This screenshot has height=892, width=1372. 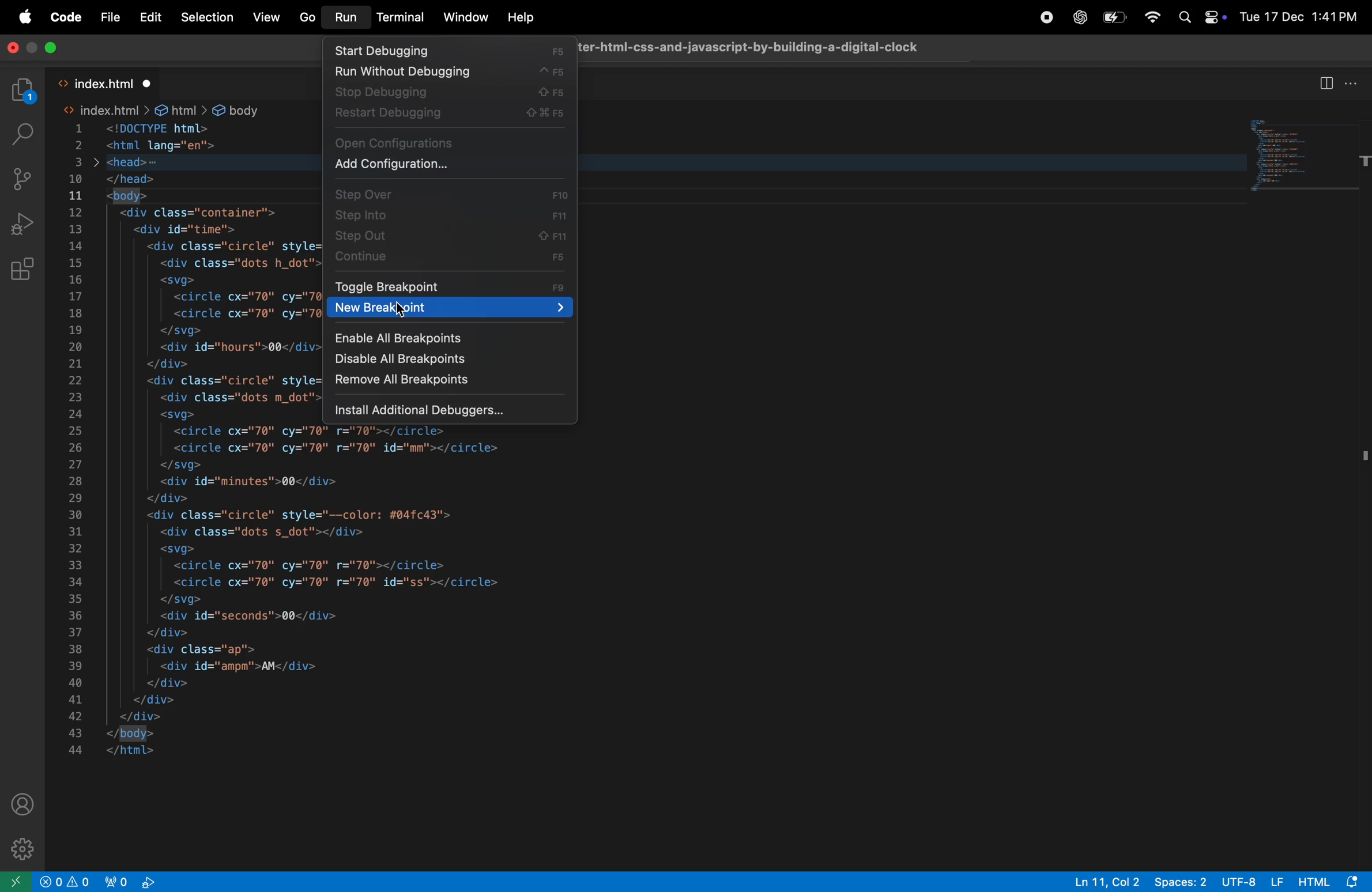 I want to click on View, so click(x=265, y=18).